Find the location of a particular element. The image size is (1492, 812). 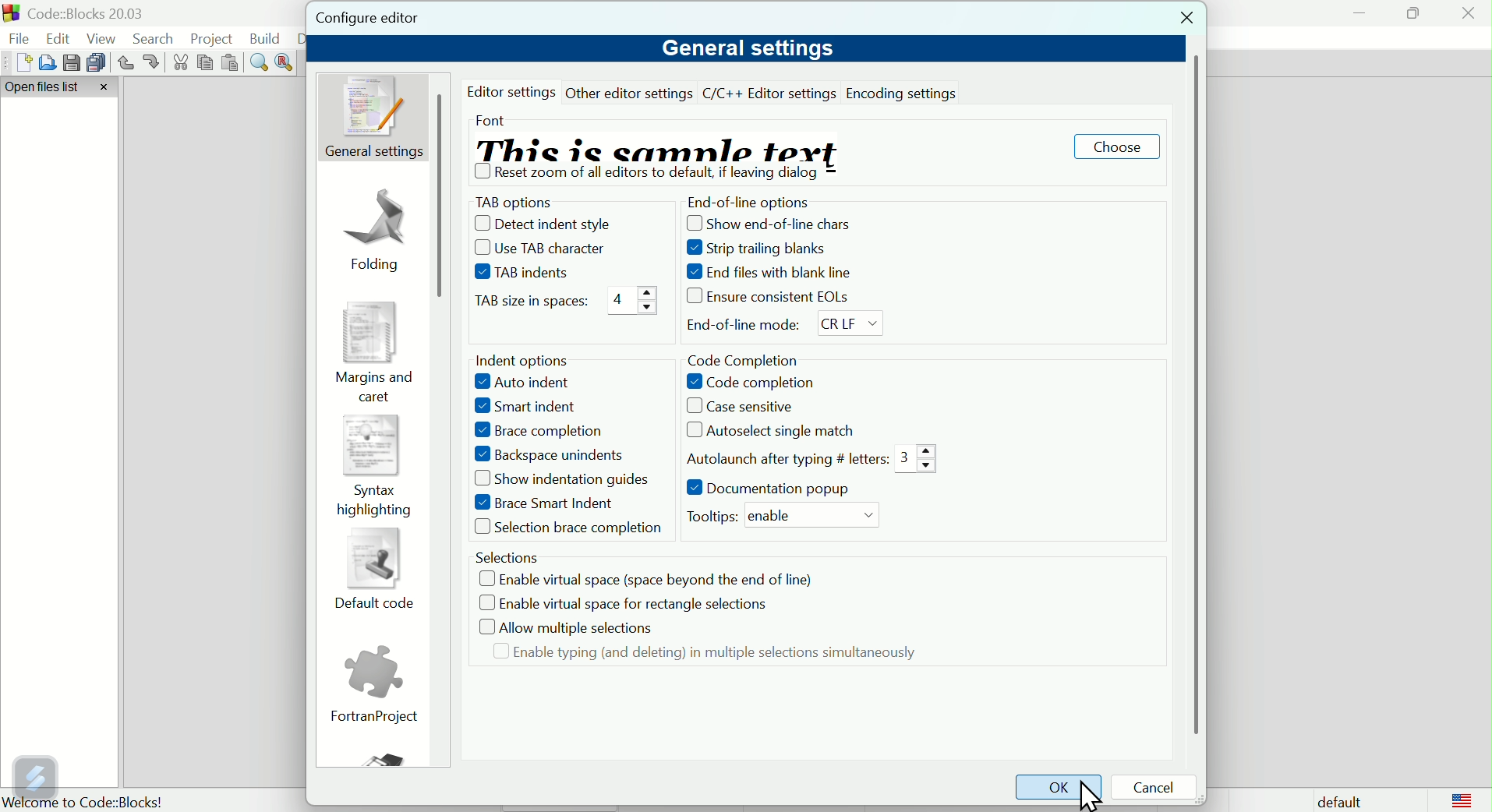

Encoding settings is located at coordinates (905, 92).